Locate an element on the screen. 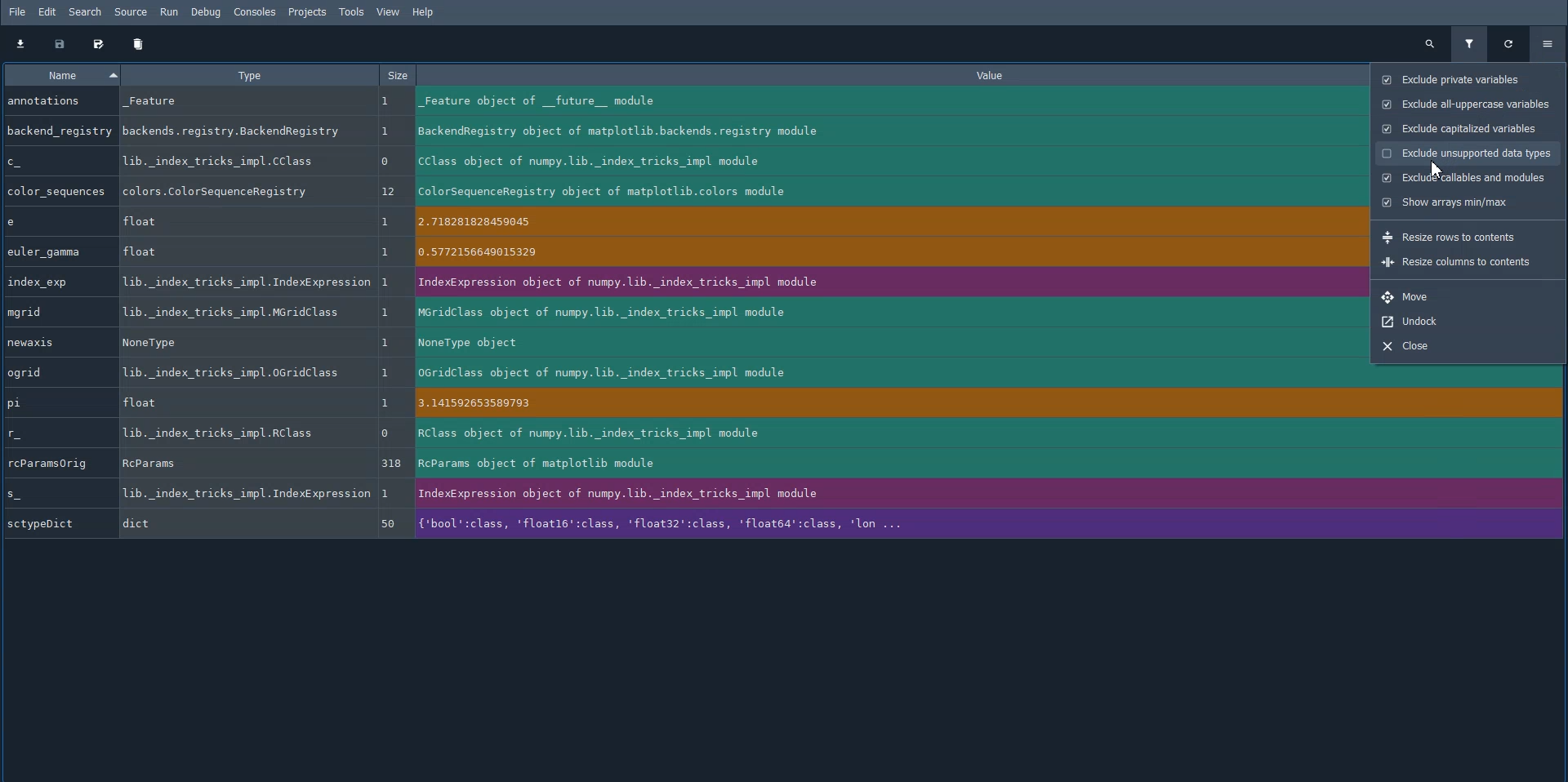  NoneType object is located at coordinates (880, 343).